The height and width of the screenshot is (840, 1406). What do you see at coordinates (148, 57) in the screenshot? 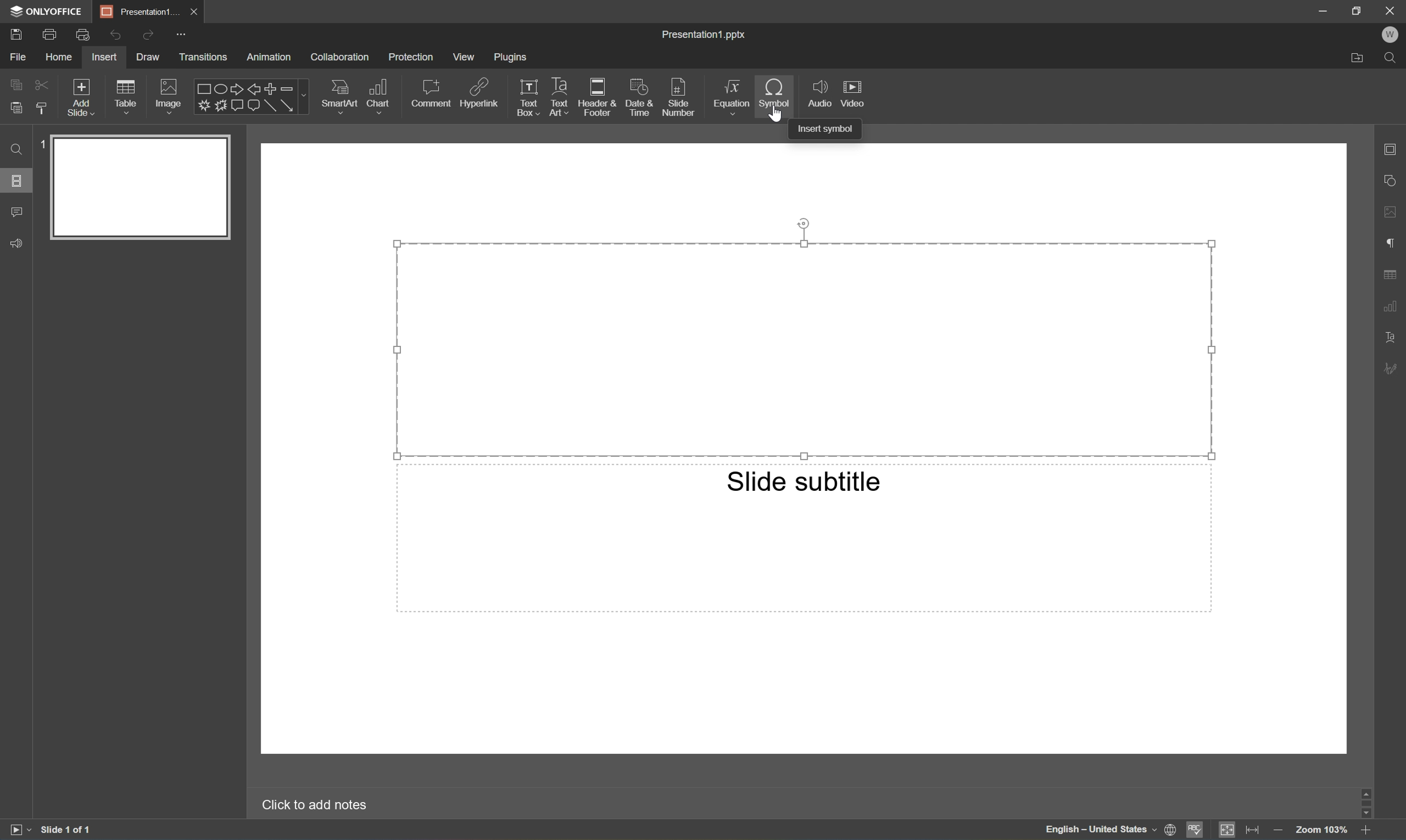
I see `Draw` at bounding box center [148, 57].